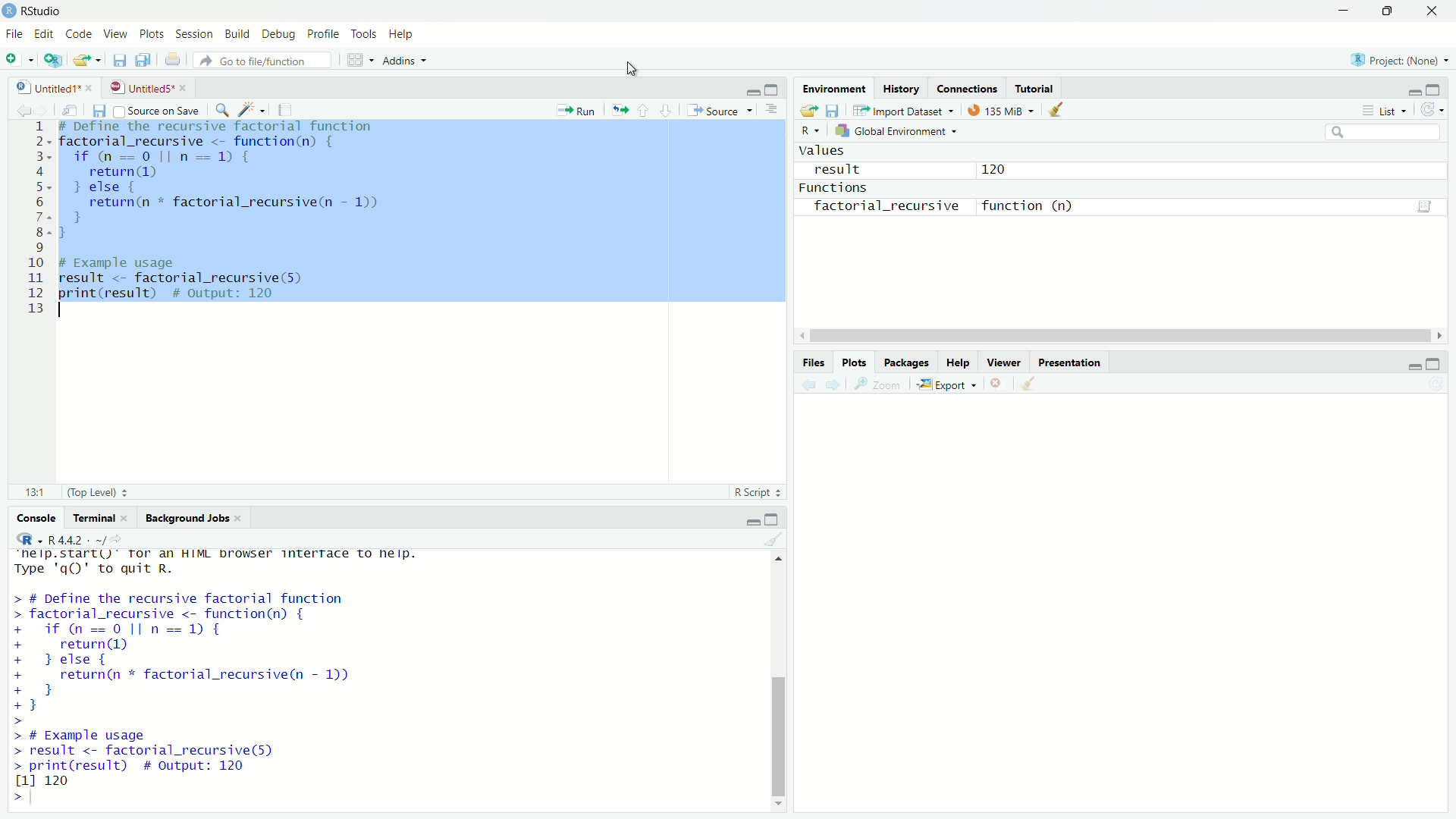 This screenshot has height=819, width=1456. Describe the element at coordinates (12, 36) in the screenshot. I see `File` at that location.